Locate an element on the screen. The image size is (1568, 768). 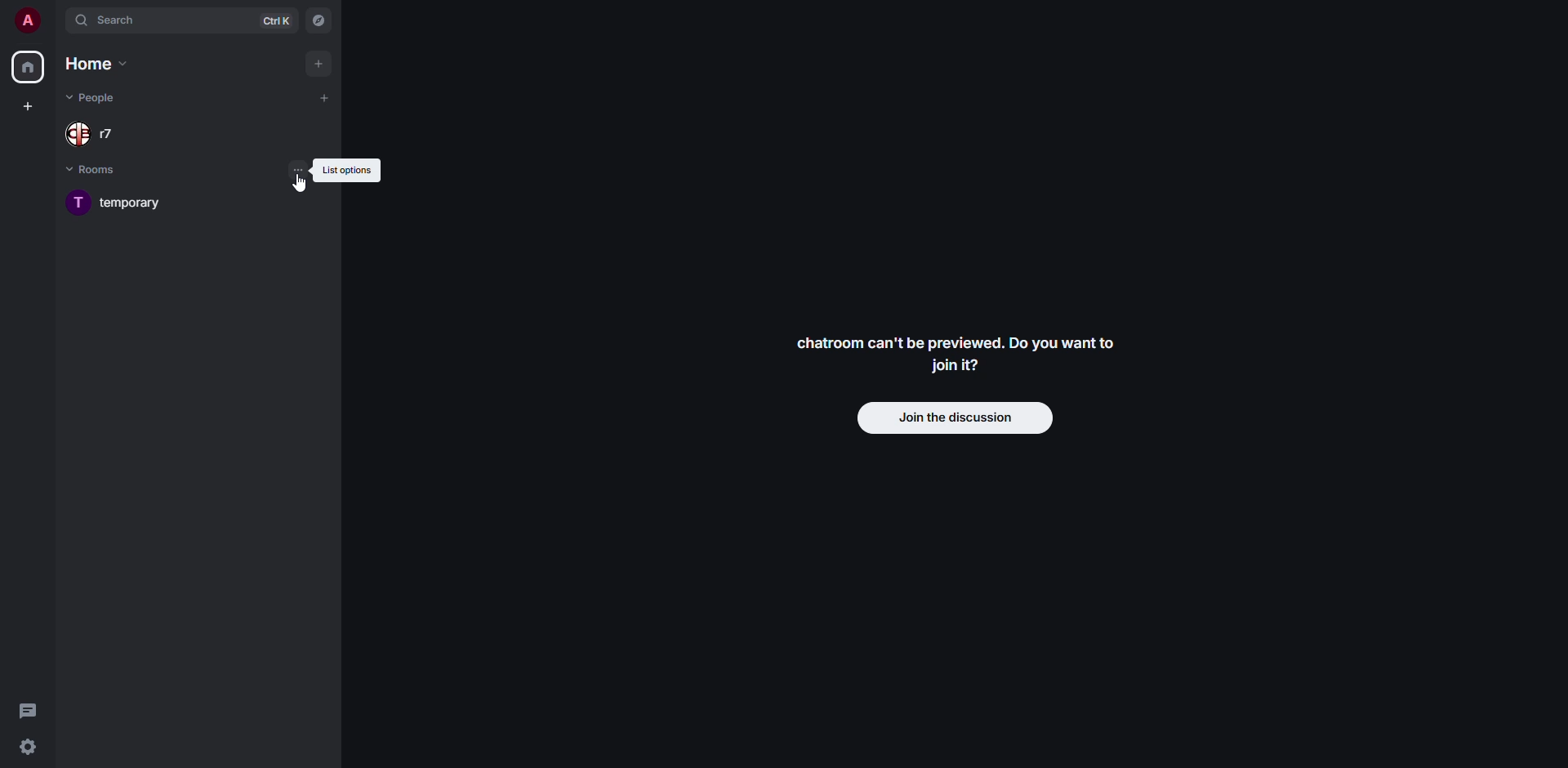
rooms is located at coordinates (94, 168).